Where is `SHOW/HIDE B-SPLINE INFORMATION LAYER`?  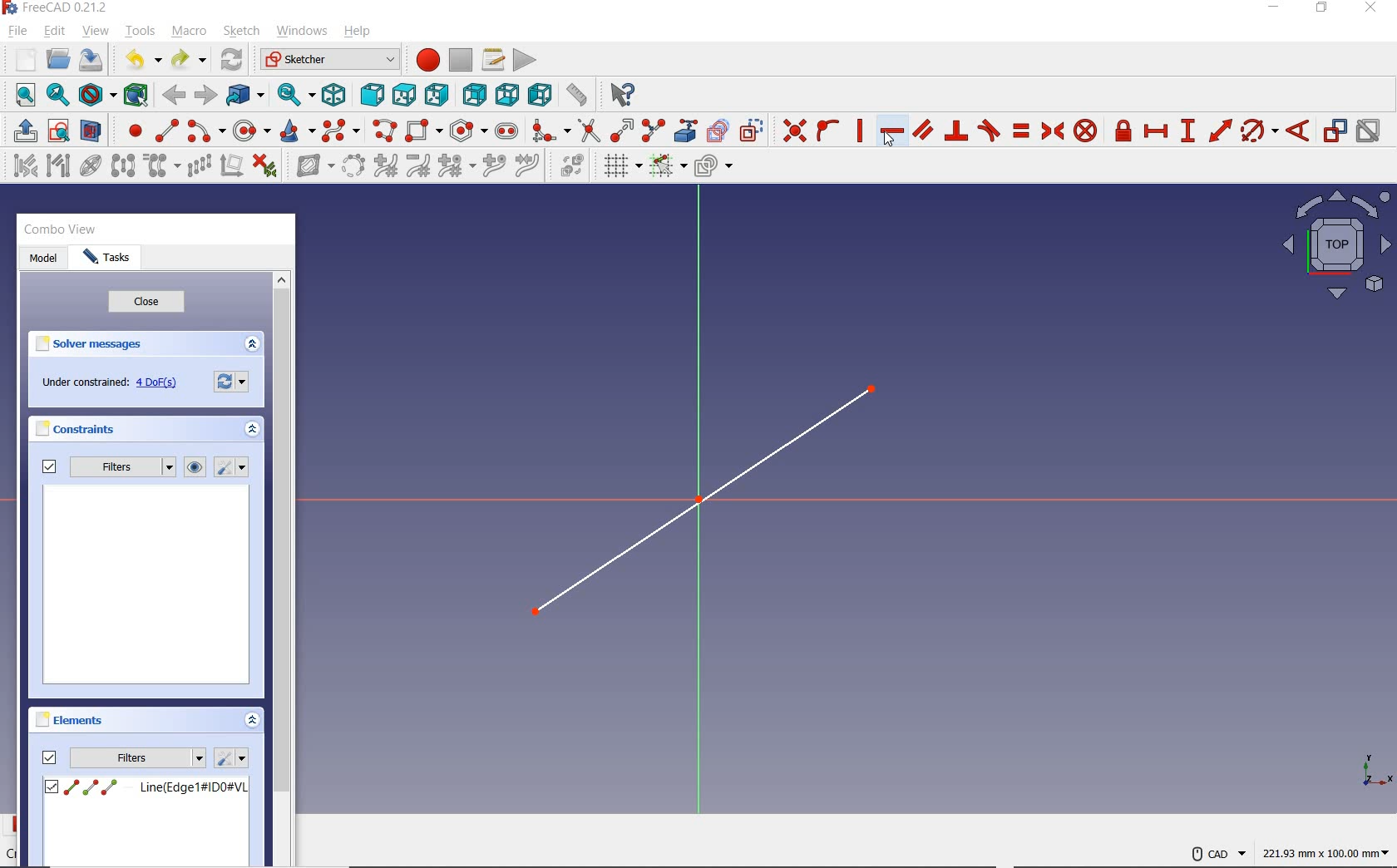
SHOW/HIDE B-SPLINE INFORMATION LAYER is located at coordinates (313, 168).